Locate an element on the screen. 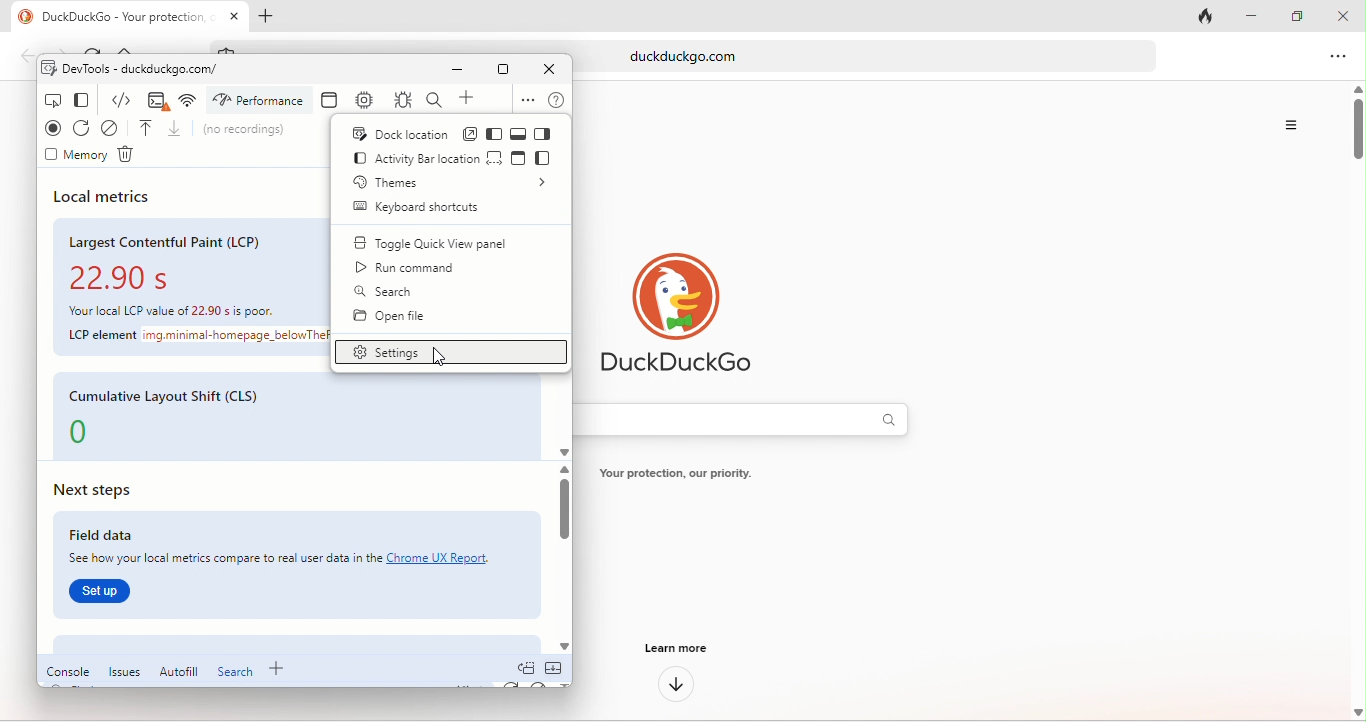 This screenshot has width=1366, height=722. maximize is located at coordinates (507, 70).